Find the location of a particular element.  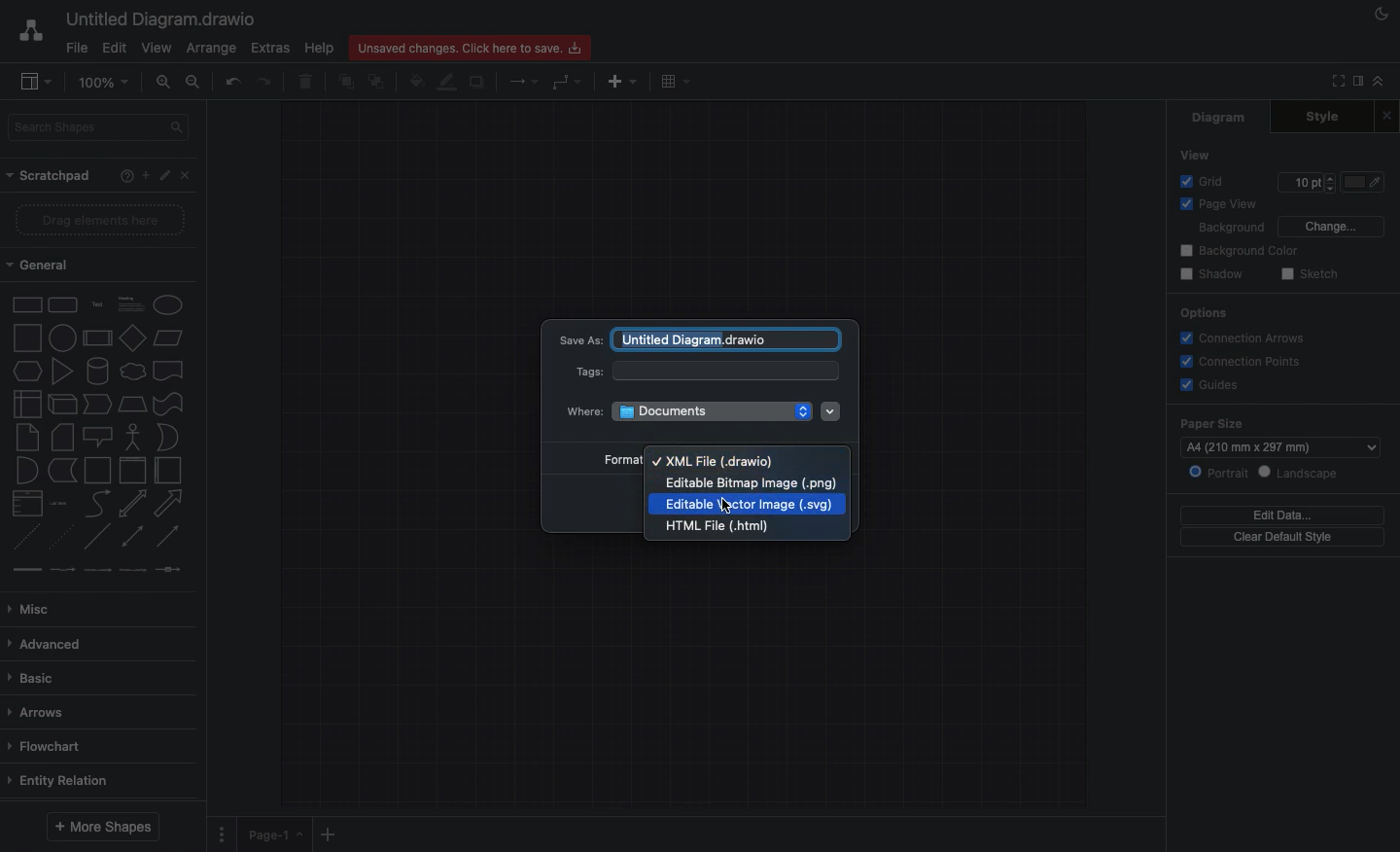

Grid is located at coordinates (1205, 182).